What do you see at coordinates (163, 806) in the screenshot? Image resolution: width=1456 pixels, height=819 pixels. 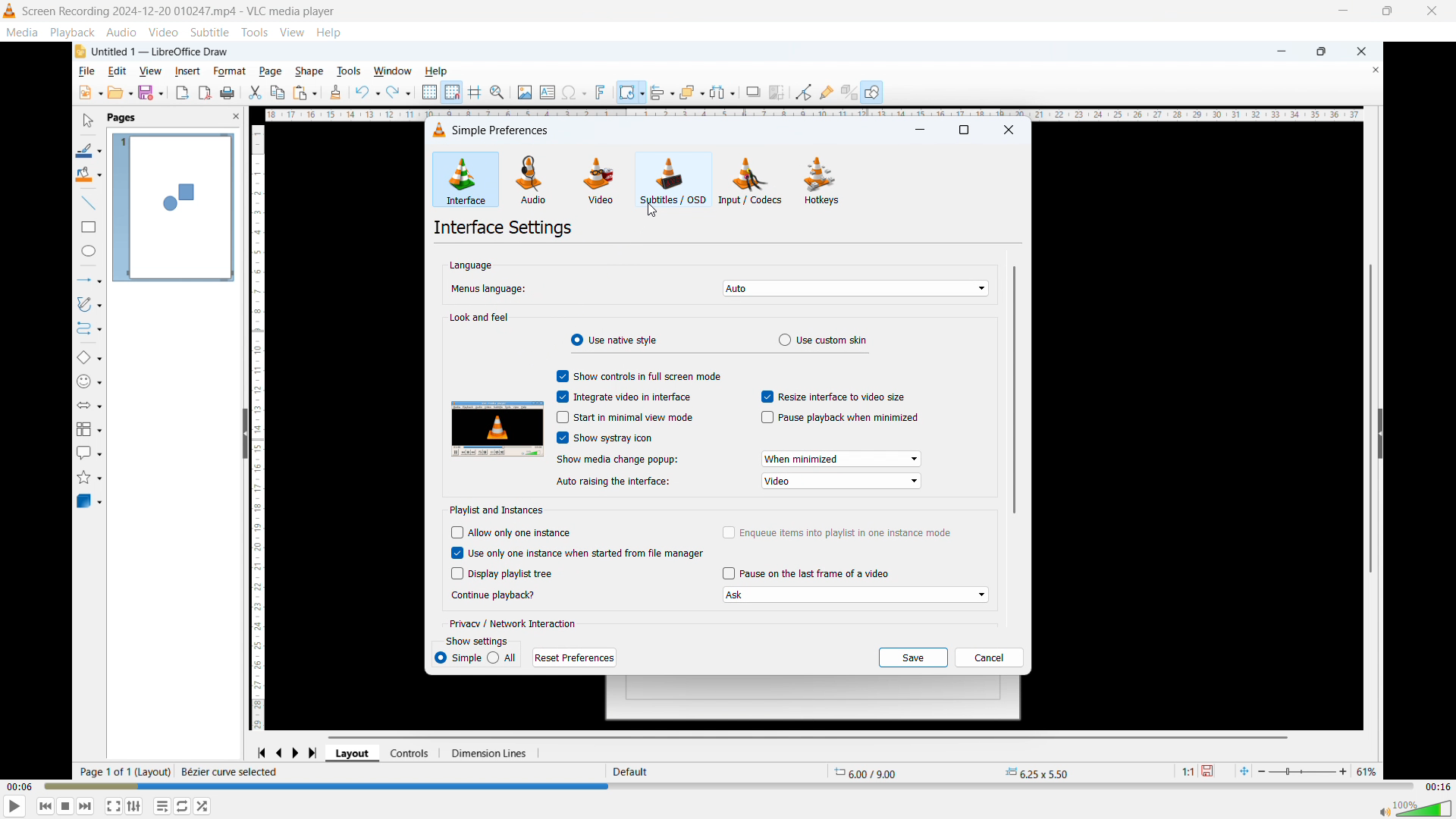 I see `Toggle between loop all, one loop and no loop ` at bounding box center [163, 806].